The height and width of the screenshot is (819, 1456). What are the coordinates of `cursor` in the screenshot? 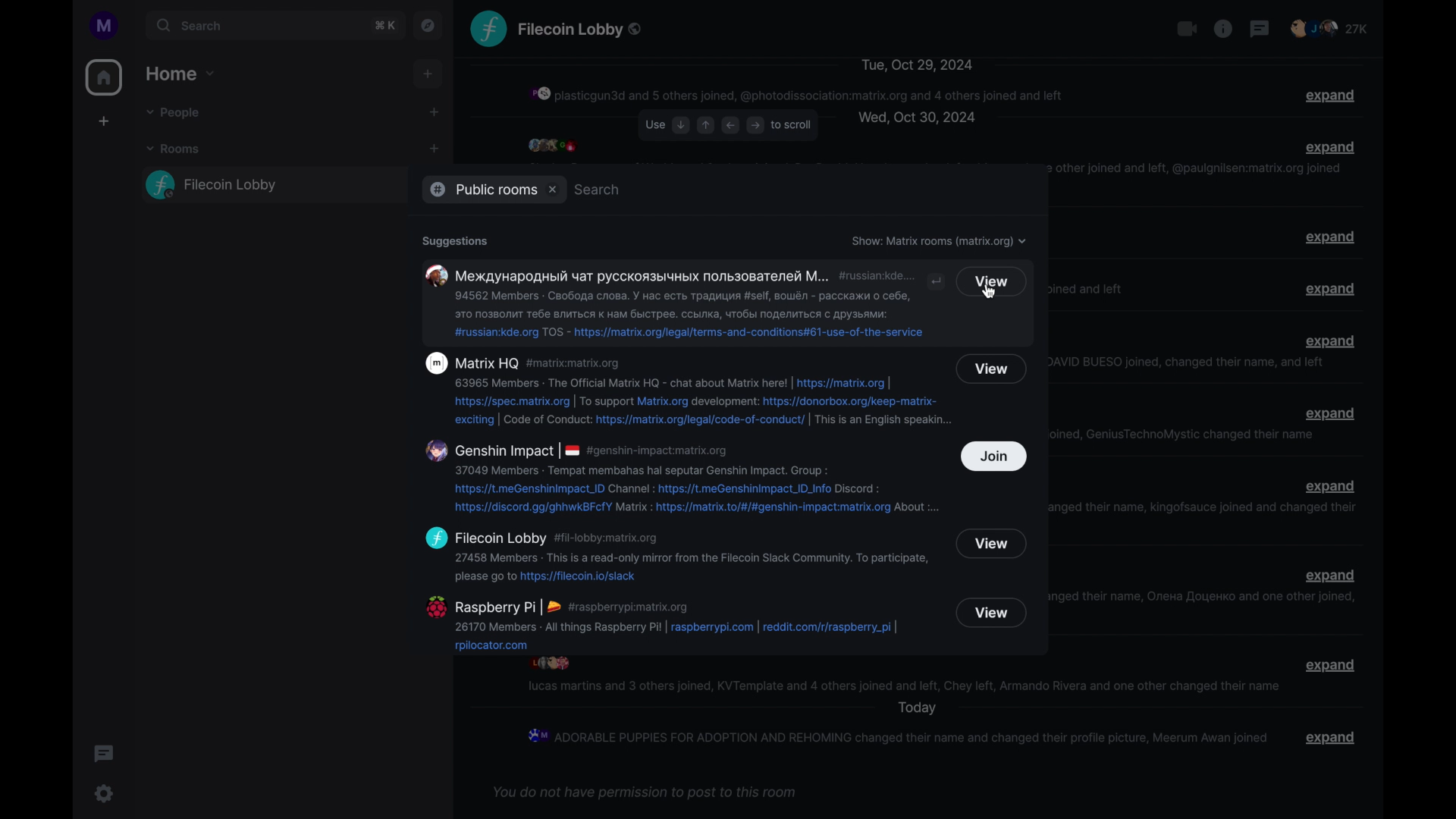 It's located at (989, 290).